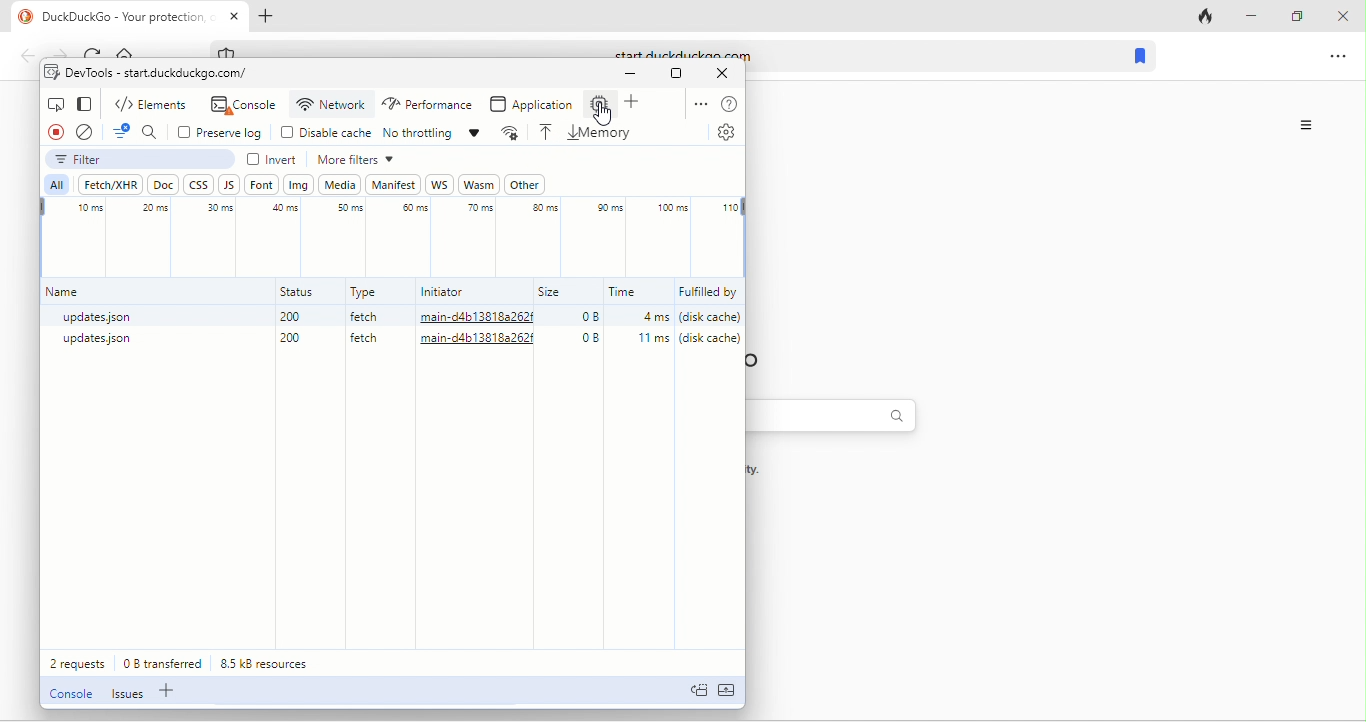 The height and width of the screenshot is (722, 1366). What do you see at coordinates (230, 185) in the screenshot?
I see `js` at bounding box center [230, 185].